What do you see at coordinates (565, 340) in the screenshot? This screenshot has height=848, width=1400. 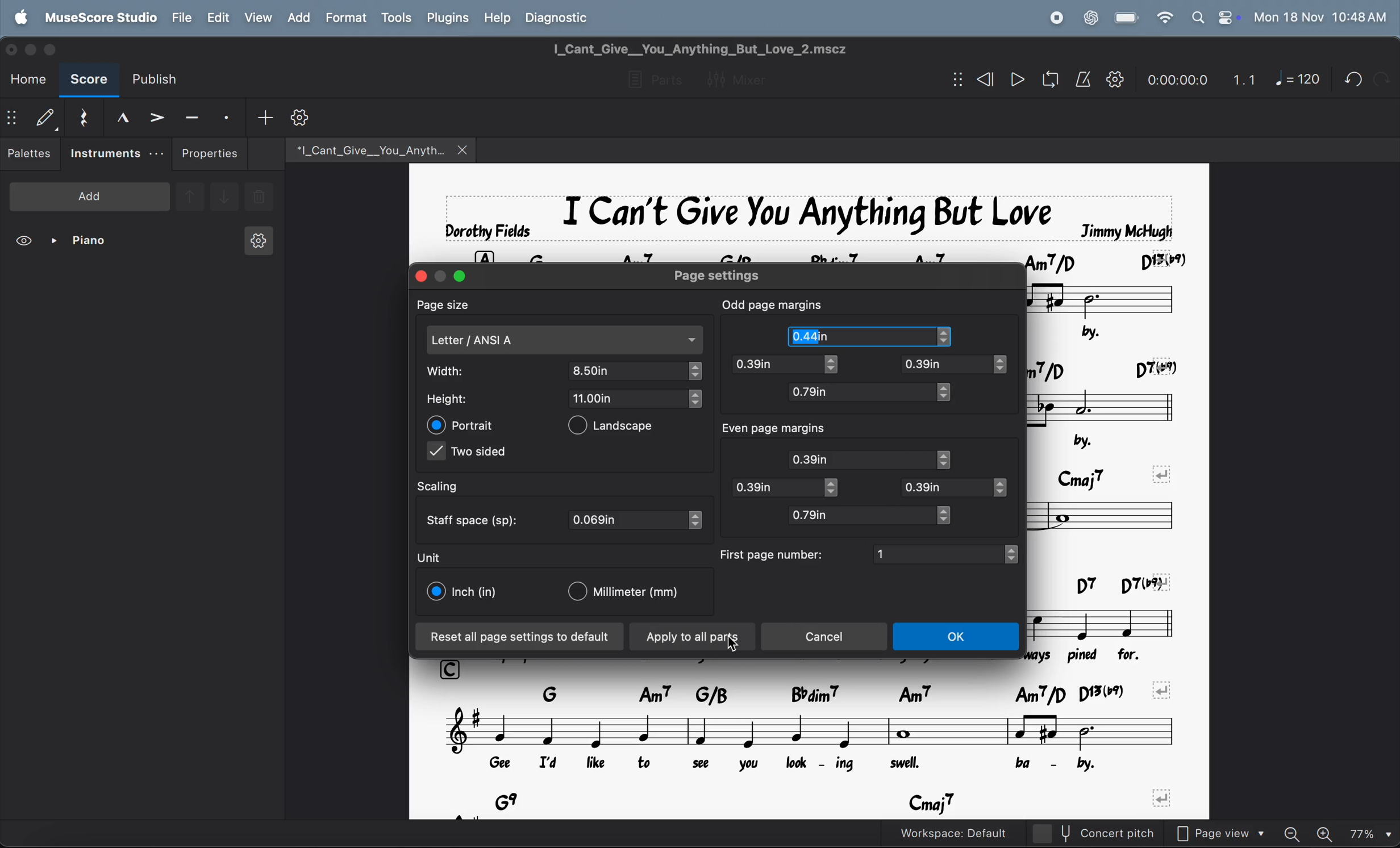 I see `letter ` at bounding box center [565, 340].